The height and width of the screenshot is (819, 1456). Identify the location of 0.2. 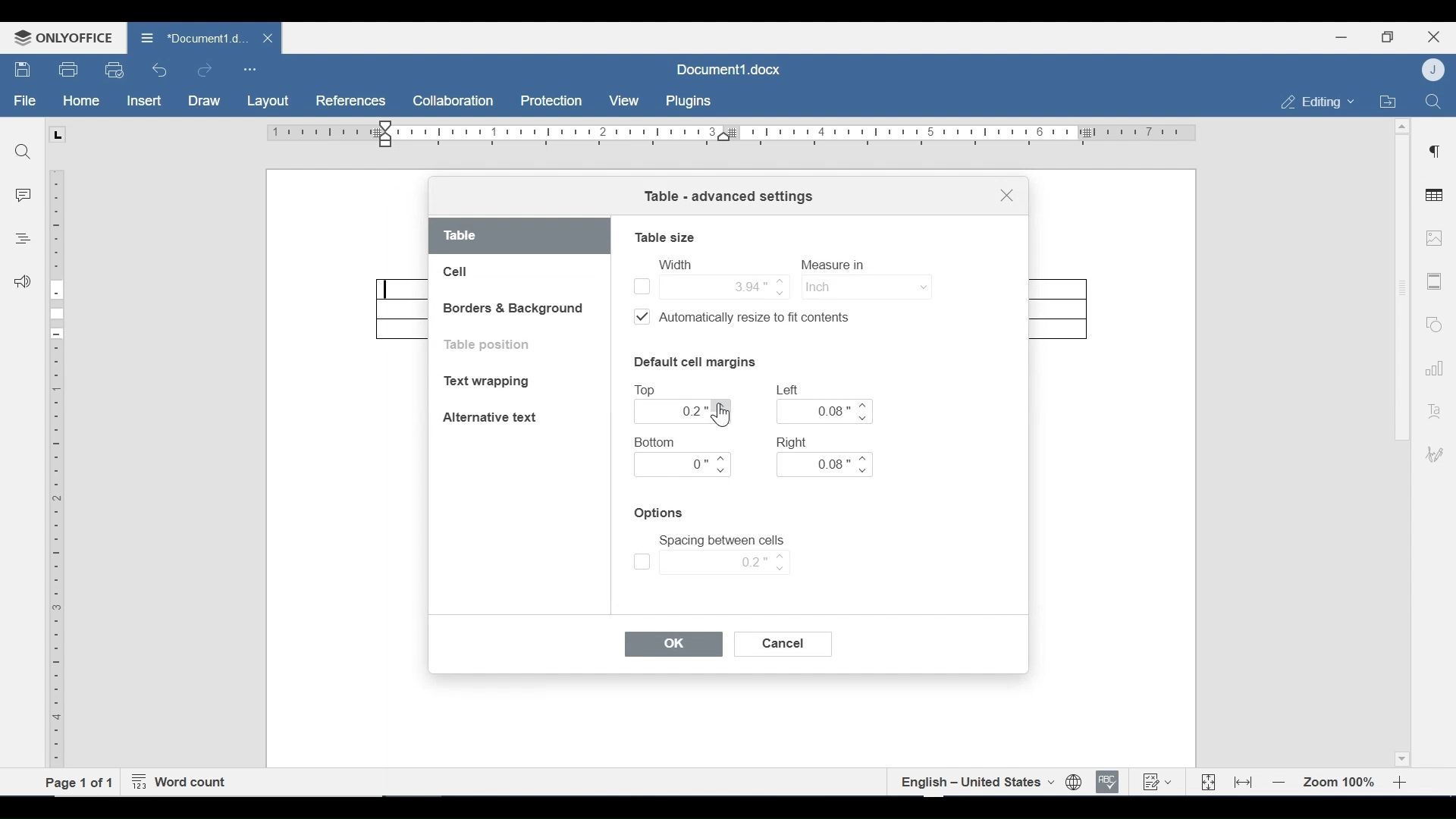
(711, 562).